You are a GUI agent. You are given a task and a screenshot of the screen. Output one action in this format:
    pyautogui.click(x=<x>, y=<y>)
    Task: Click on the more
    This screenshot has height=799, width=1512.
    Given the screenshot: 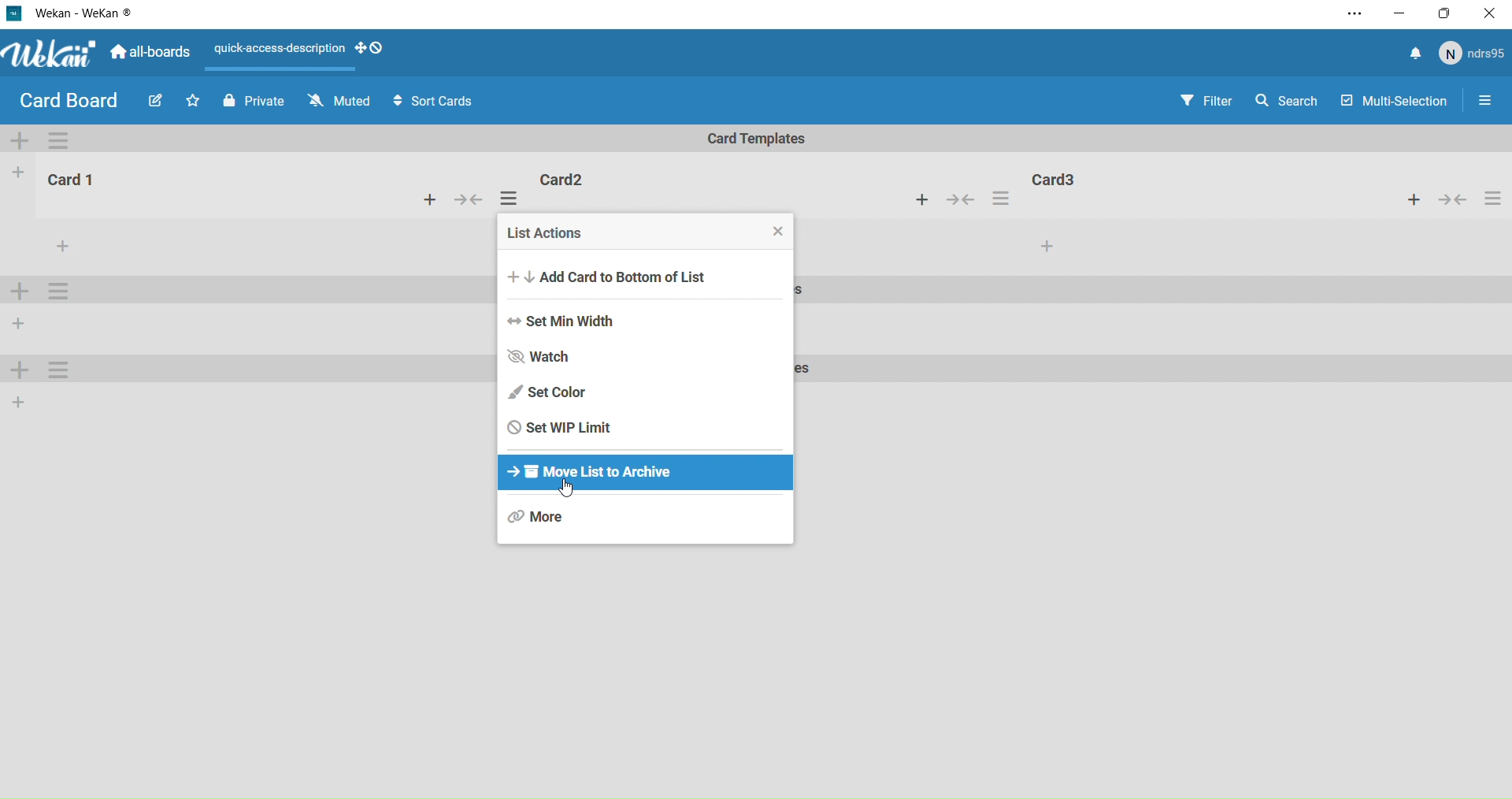 What is the action you would take?
    pyautogui.click(x=61, y=371)
    